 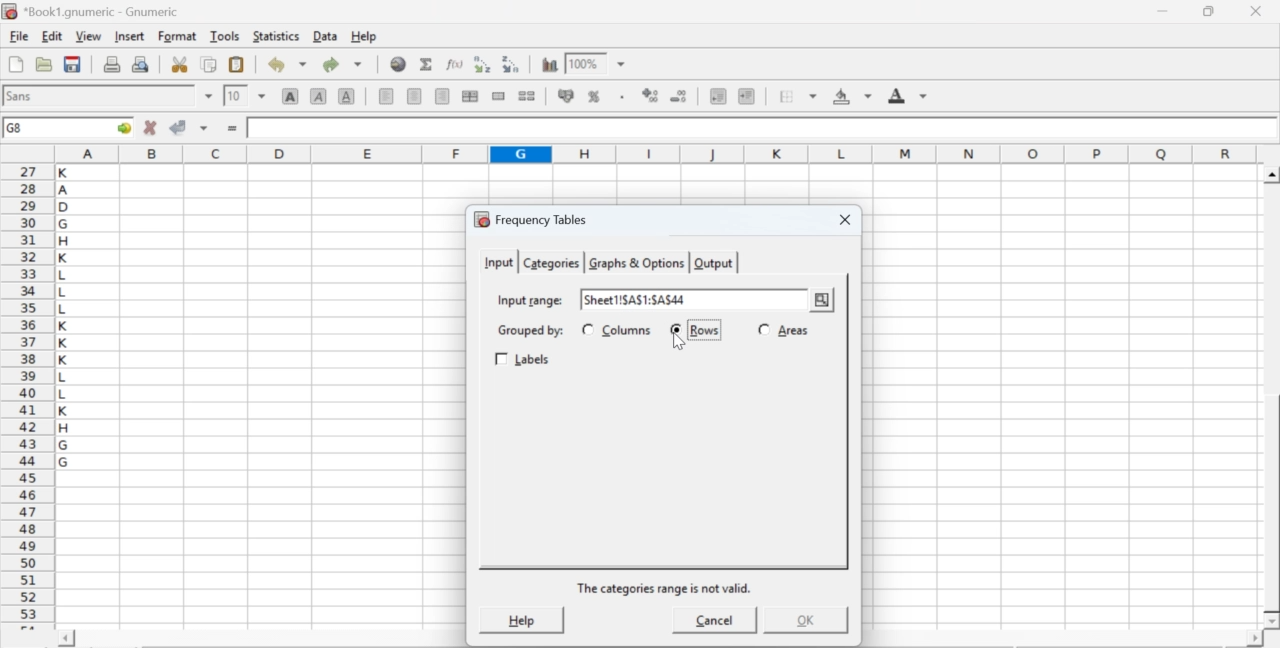 I want to click on edit function in current cell, so click(x=456, y=63).